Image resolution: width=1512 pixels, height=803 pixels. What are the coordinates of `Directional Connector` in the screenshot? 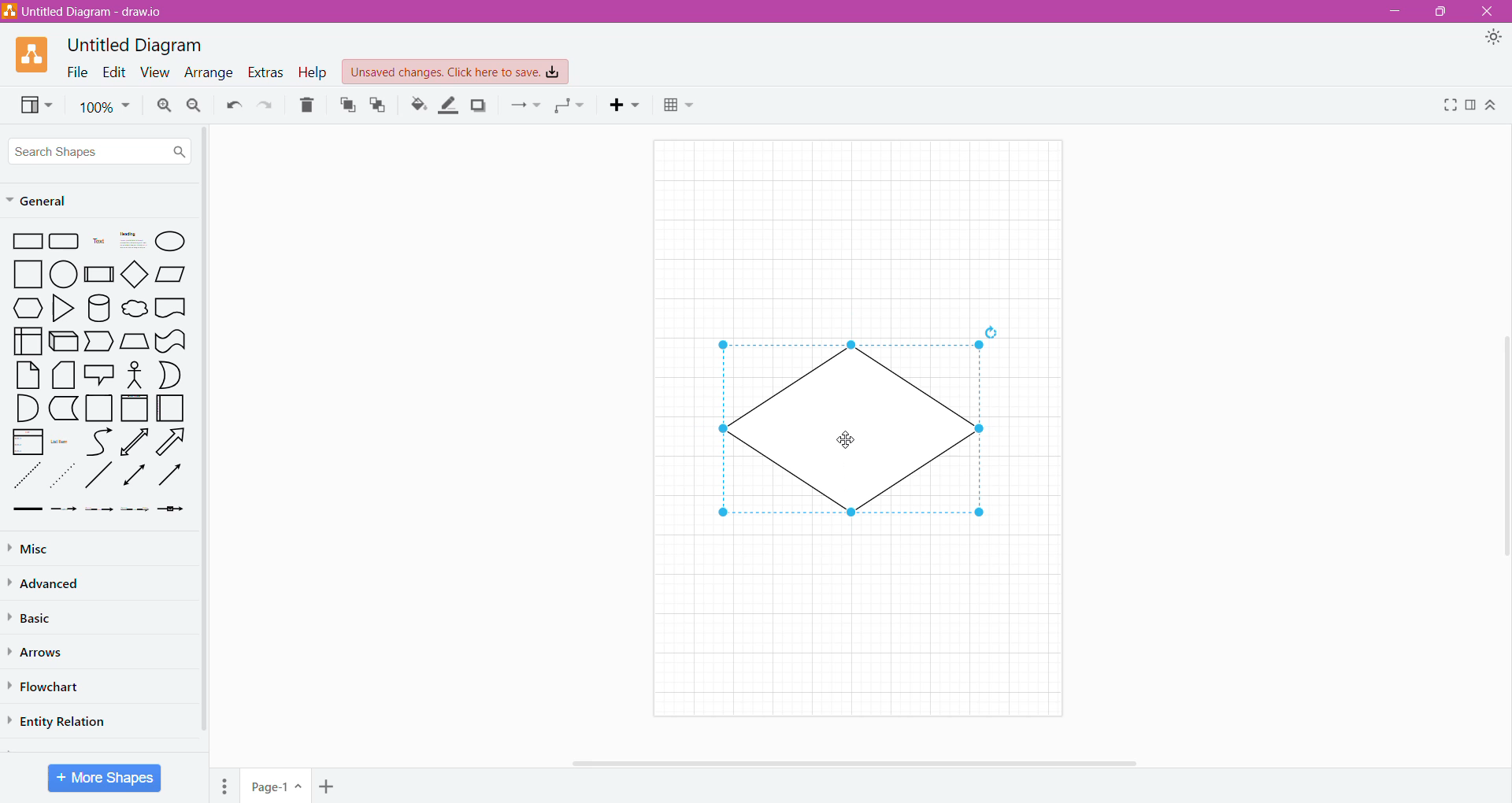 It's located at (173, 479).